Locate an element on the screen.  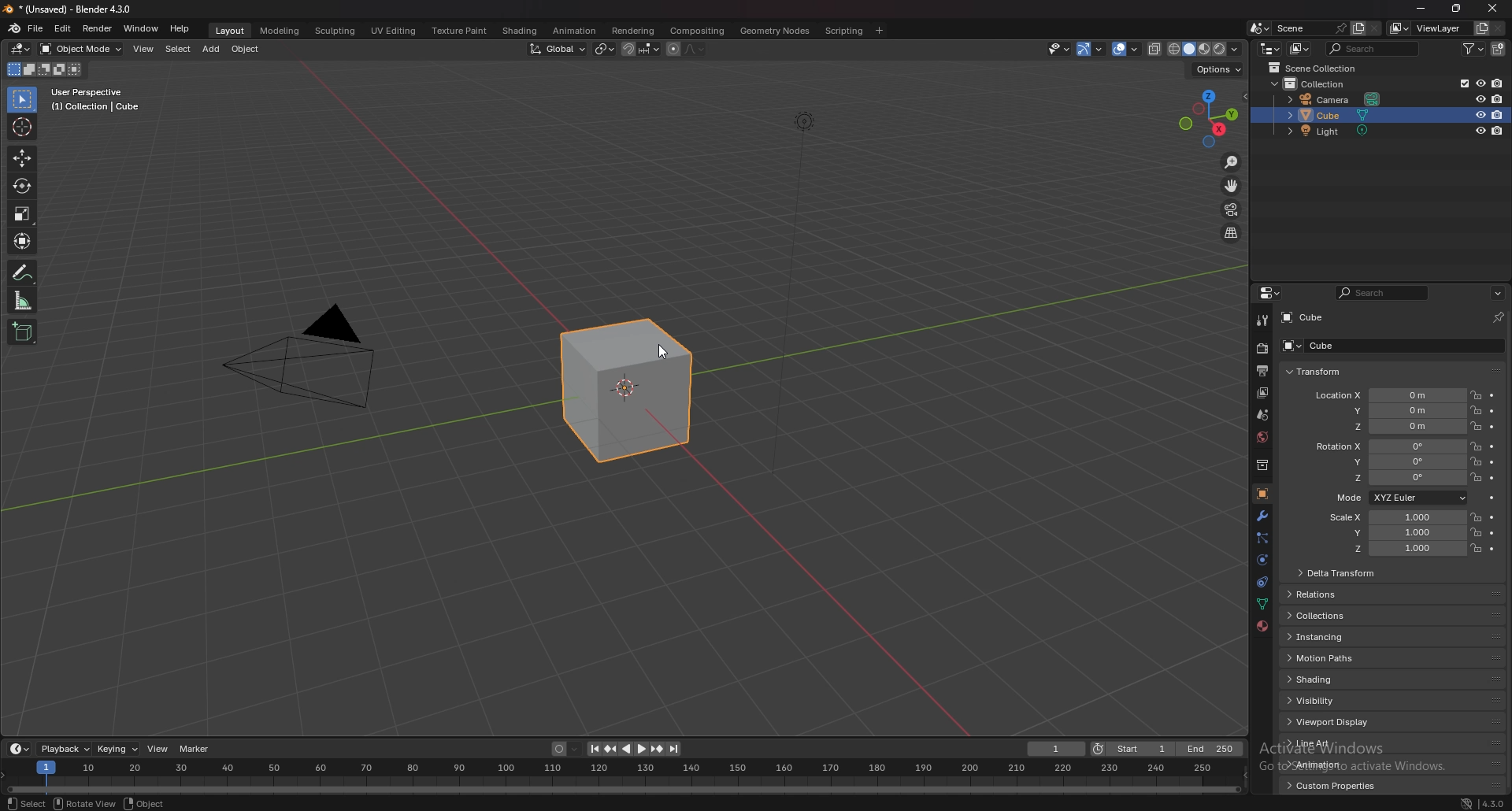
disable in render is located at coordinates (1498, 131).